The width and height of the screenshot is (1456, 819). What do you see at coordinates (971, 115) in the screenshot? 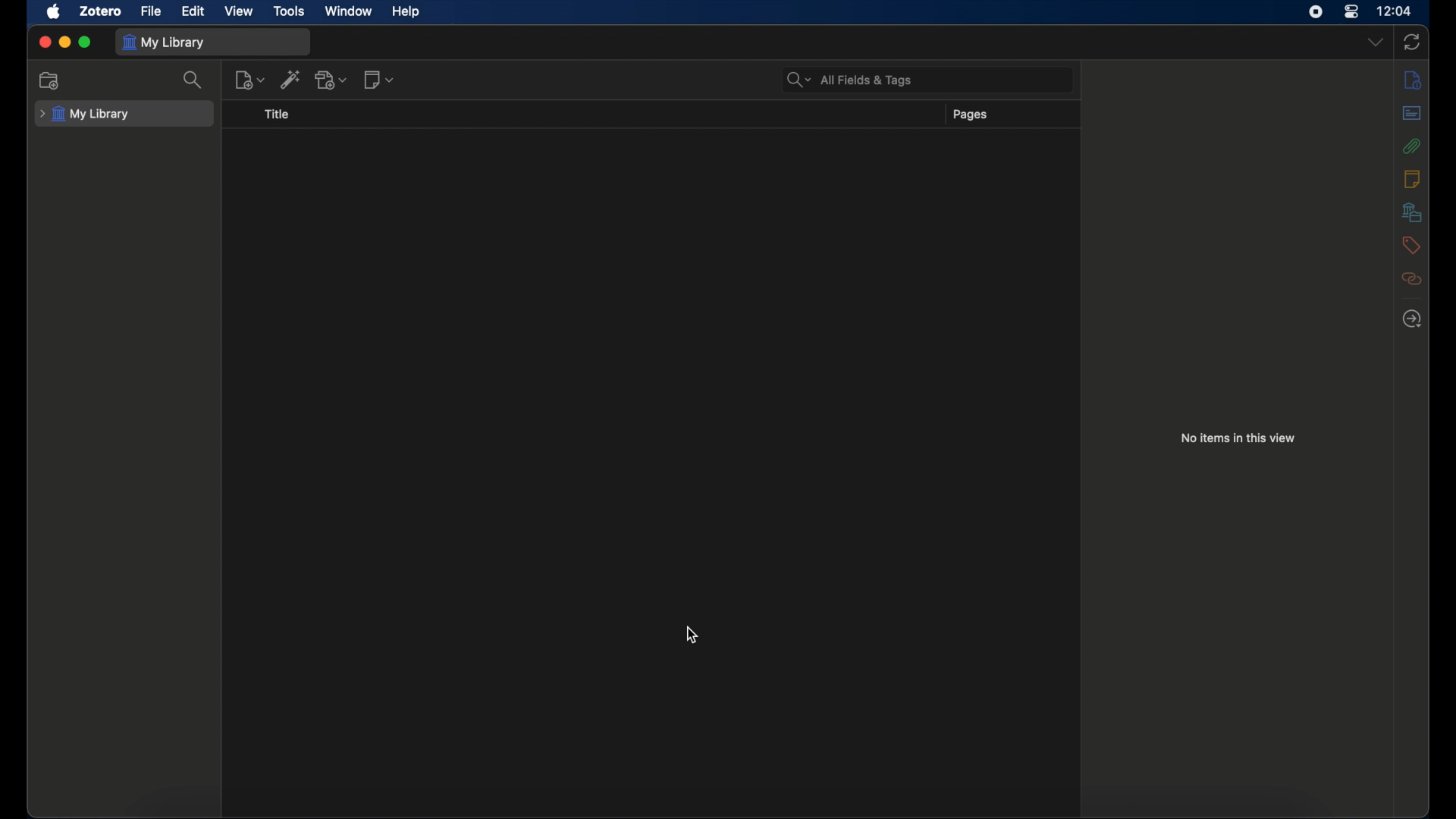
I see `pages` at bounding box center [971, 115].